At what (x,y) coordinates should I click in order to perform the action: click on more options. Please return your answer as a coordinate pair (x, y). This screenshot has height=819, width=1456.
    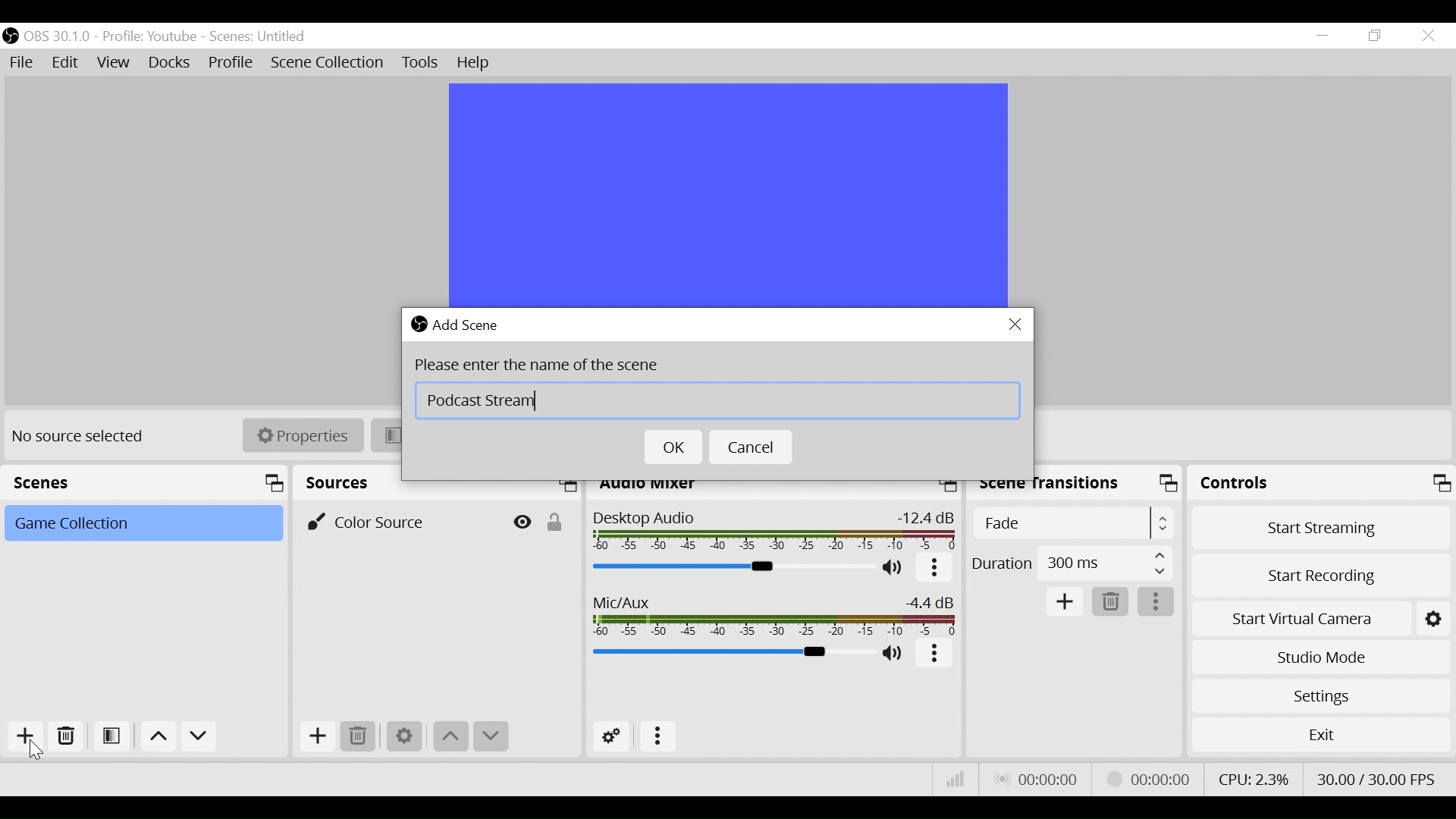
    Looking at the image, I should click on (936, 655).